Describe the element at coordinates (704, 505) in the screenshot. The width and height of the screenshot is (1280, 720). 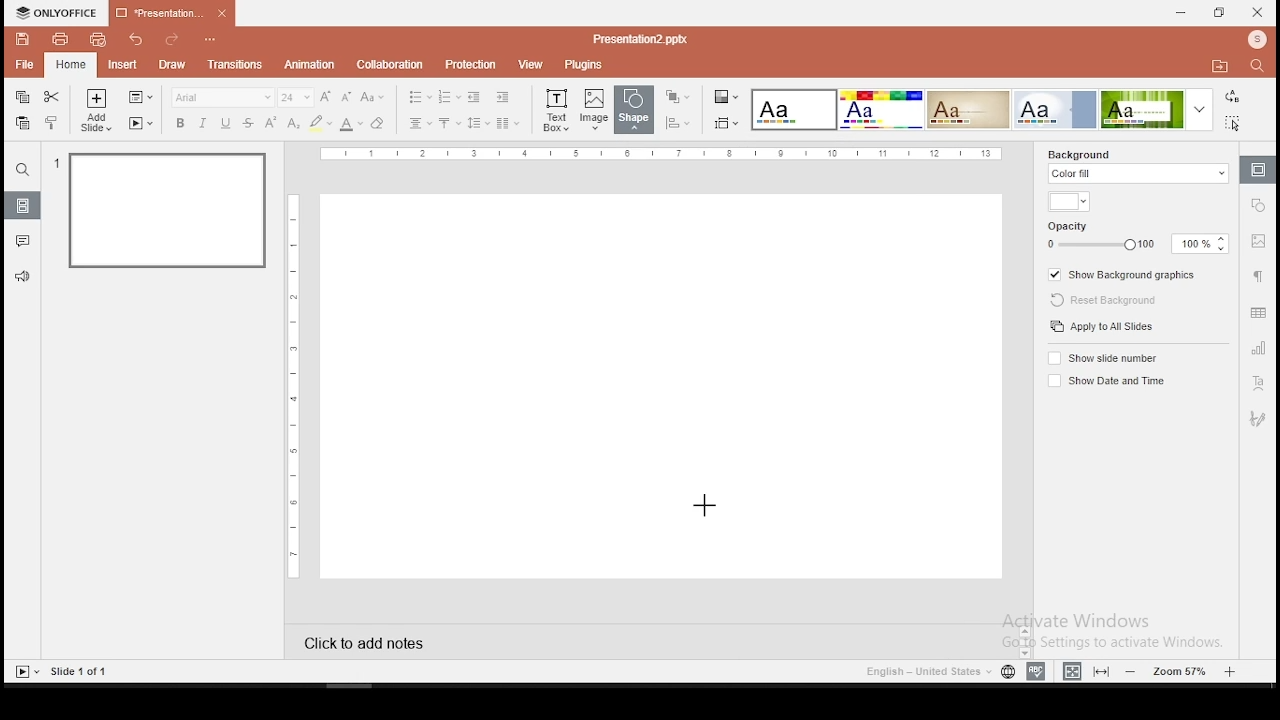
I see `mouse pointer` at that location.